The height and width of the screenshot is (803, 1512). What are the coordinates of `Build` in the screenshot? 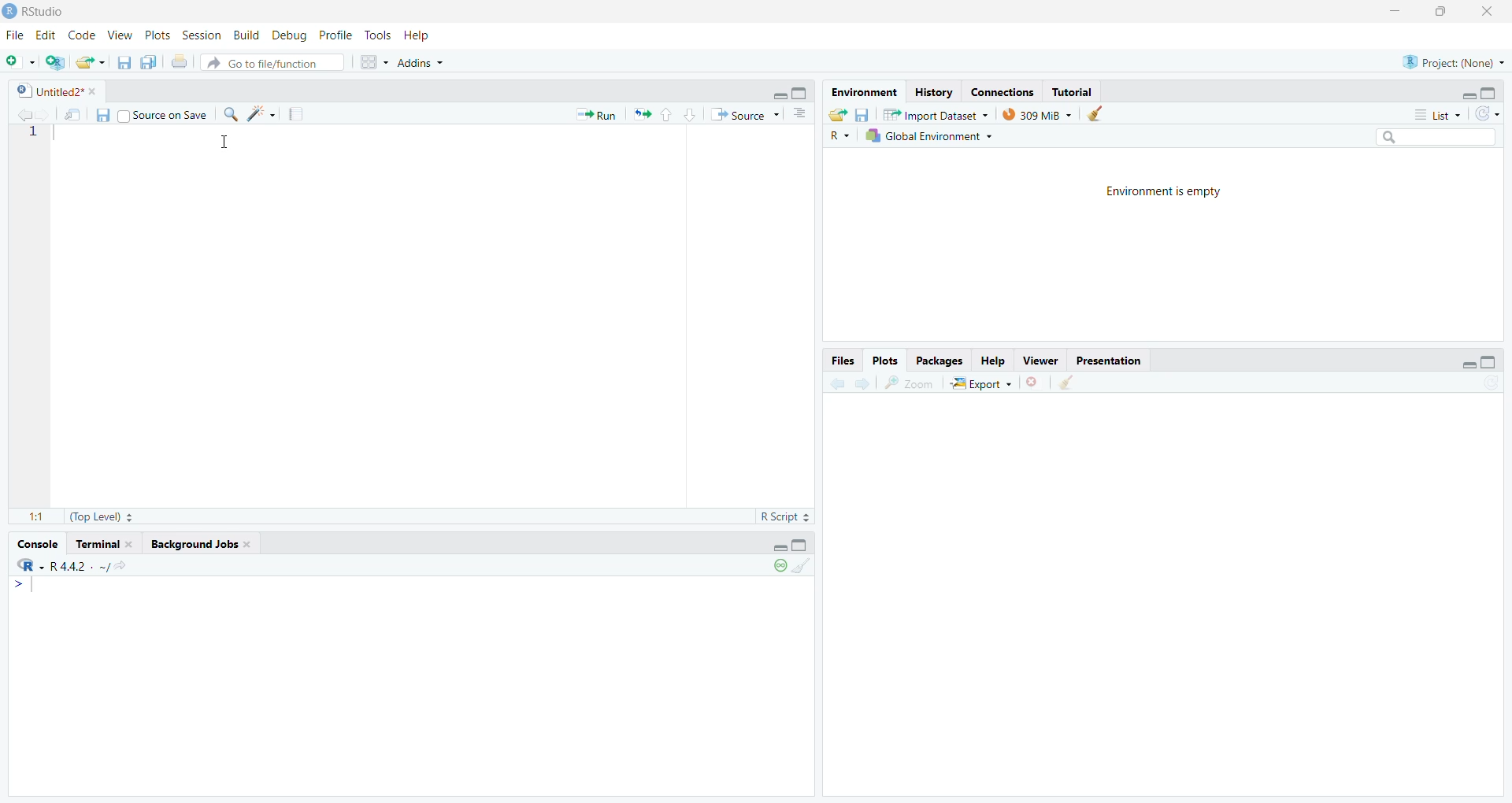 It's located at (243, 35).